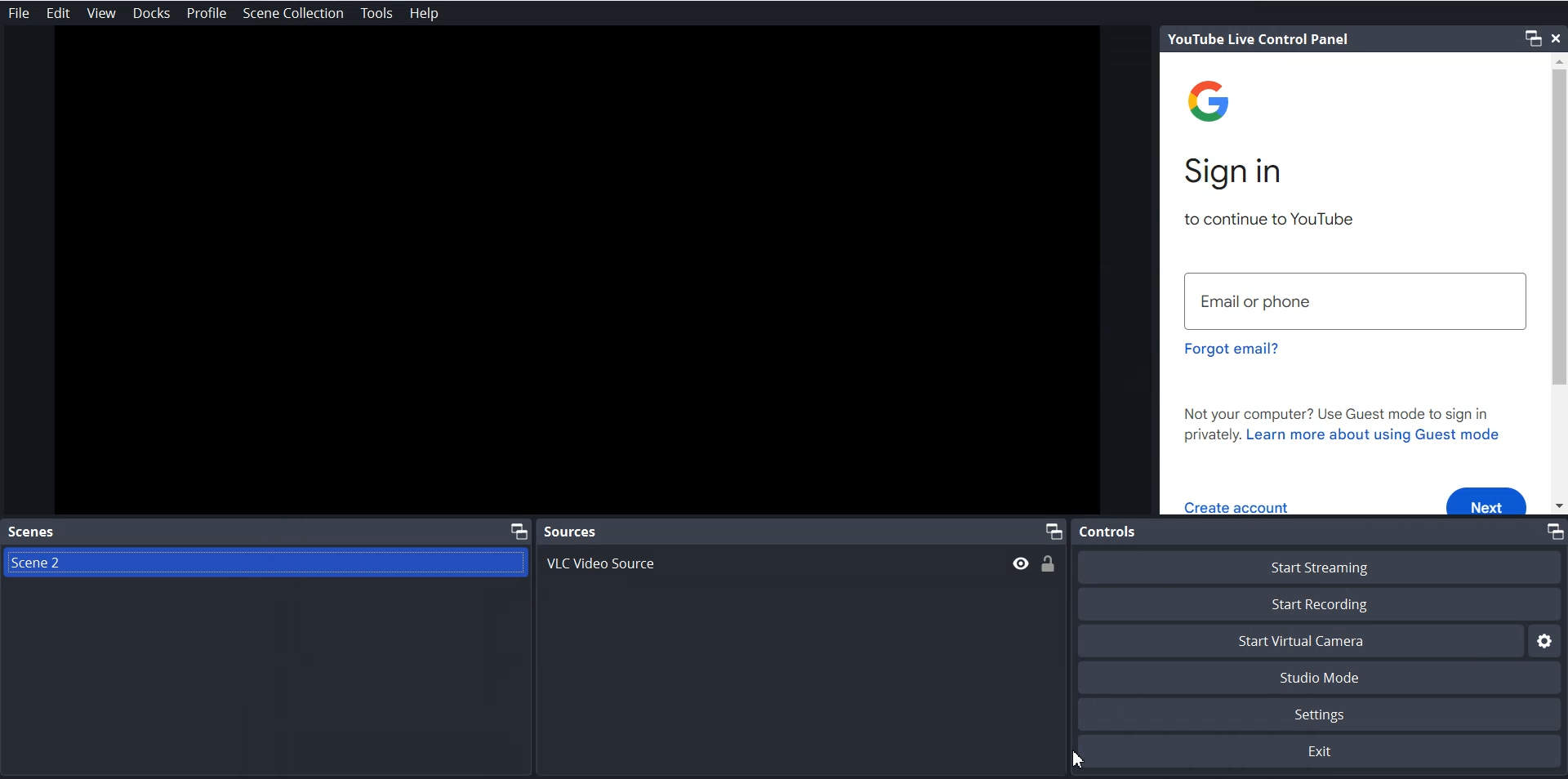  I want to click on Maximize, so click(519, 530).